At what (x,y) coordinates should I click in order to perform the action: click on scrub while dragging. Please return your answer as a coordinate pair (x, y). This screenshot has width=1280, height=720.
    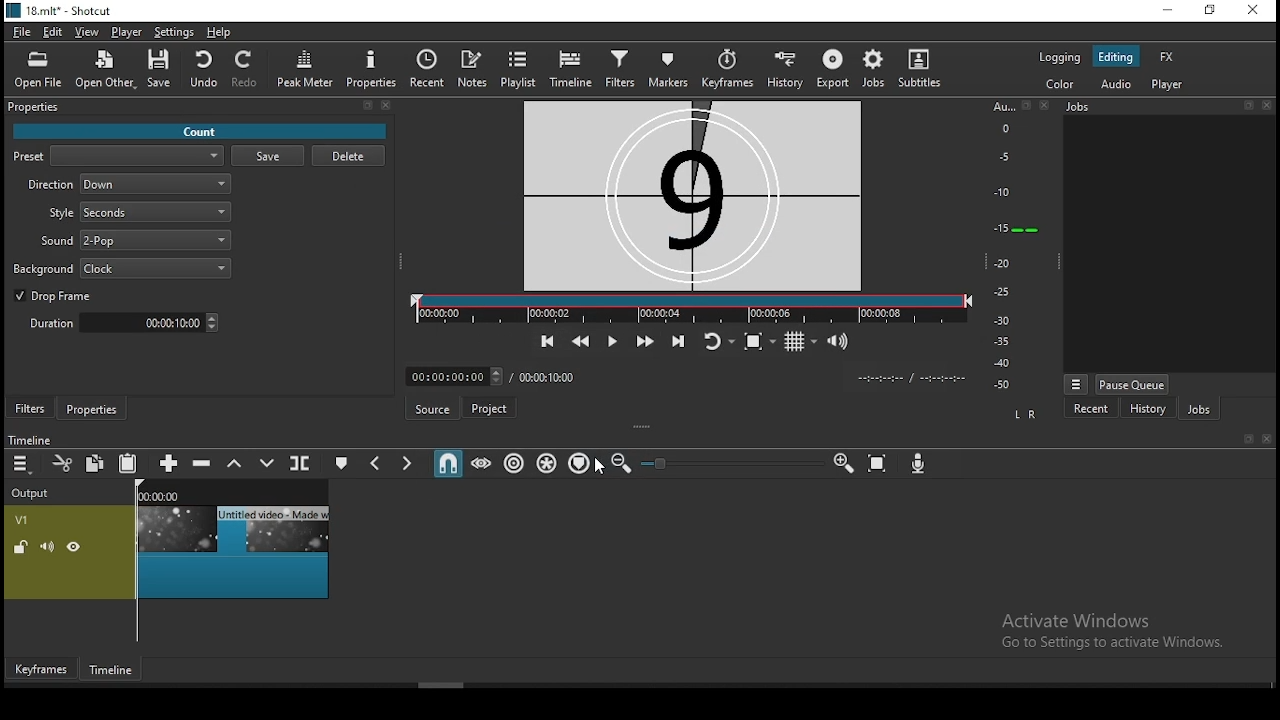
    Looking at the image, I should click on (483, 464).